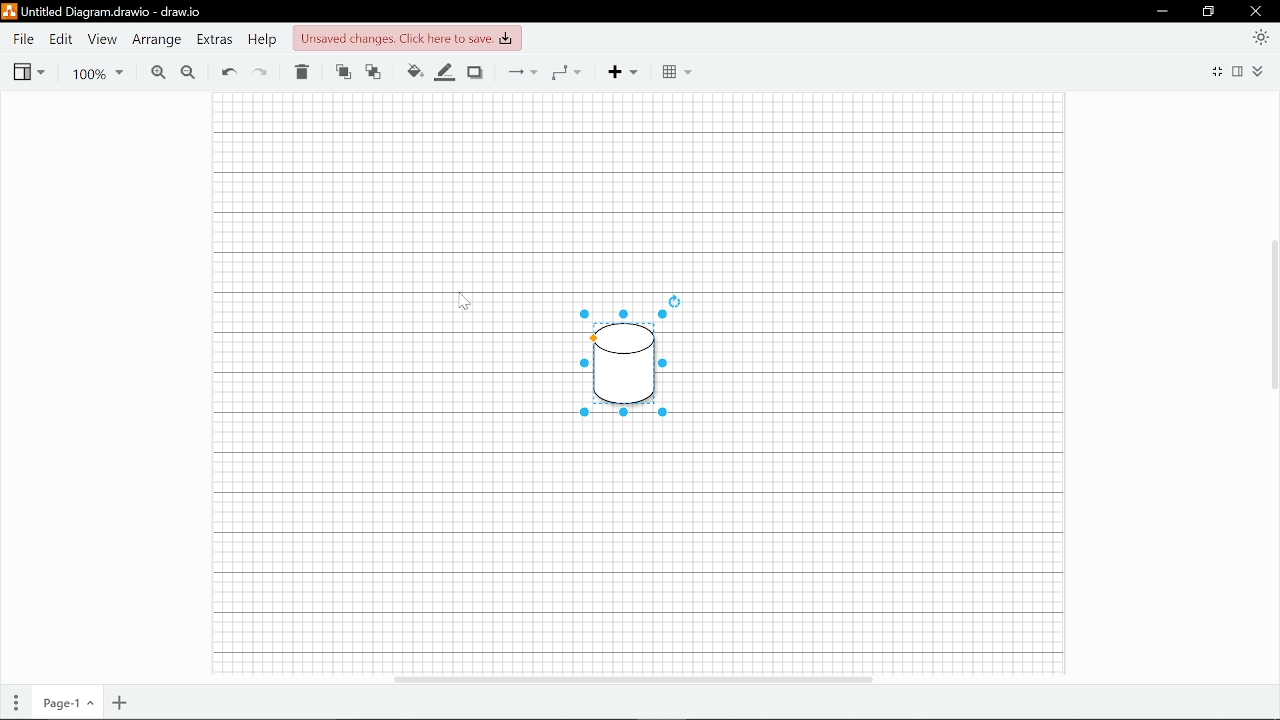  I want to click on Format, so click(1238, 71).